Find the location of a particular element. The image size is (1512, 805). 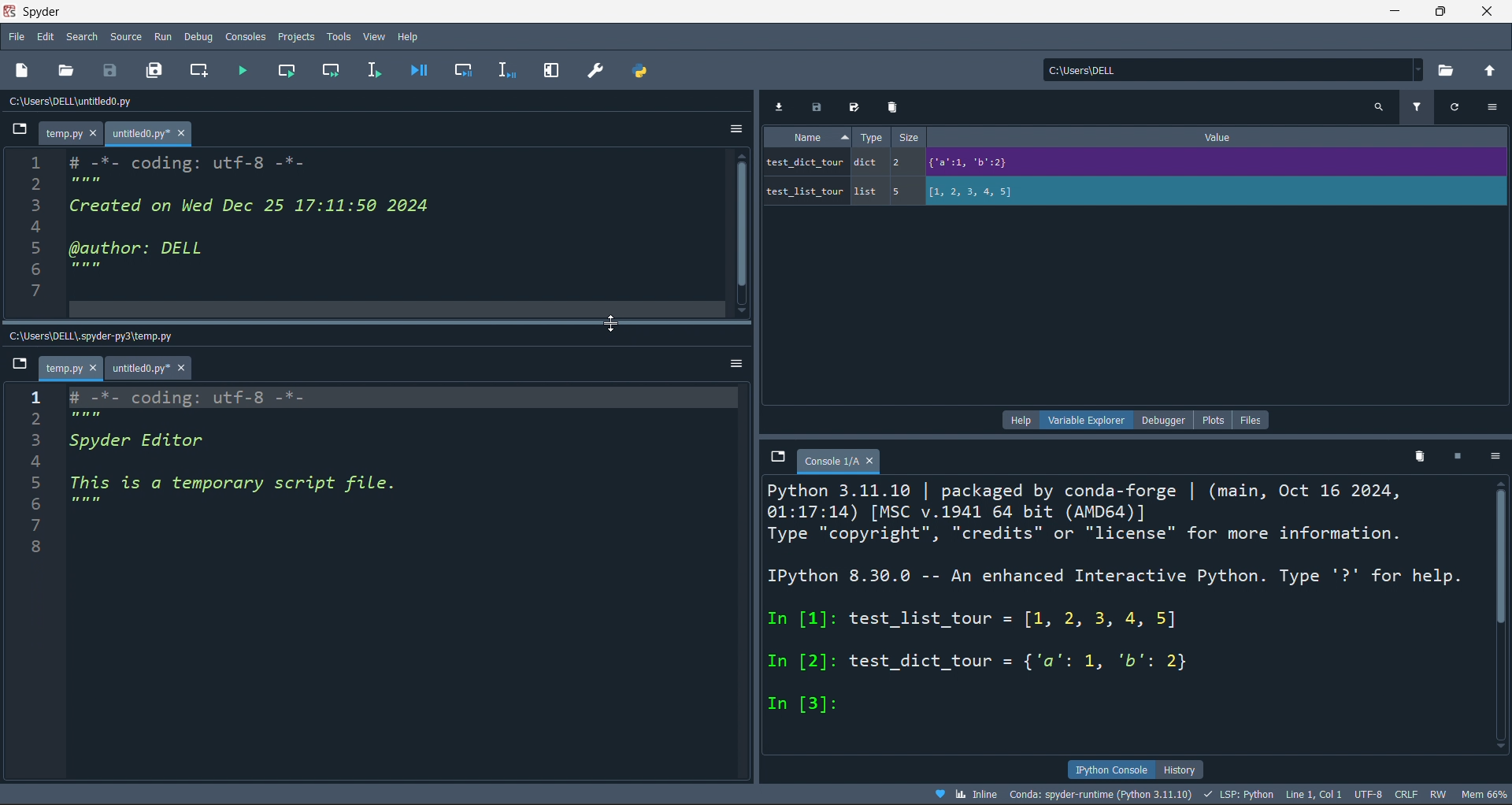

varable explorer is located at coordinates (1084, 421).